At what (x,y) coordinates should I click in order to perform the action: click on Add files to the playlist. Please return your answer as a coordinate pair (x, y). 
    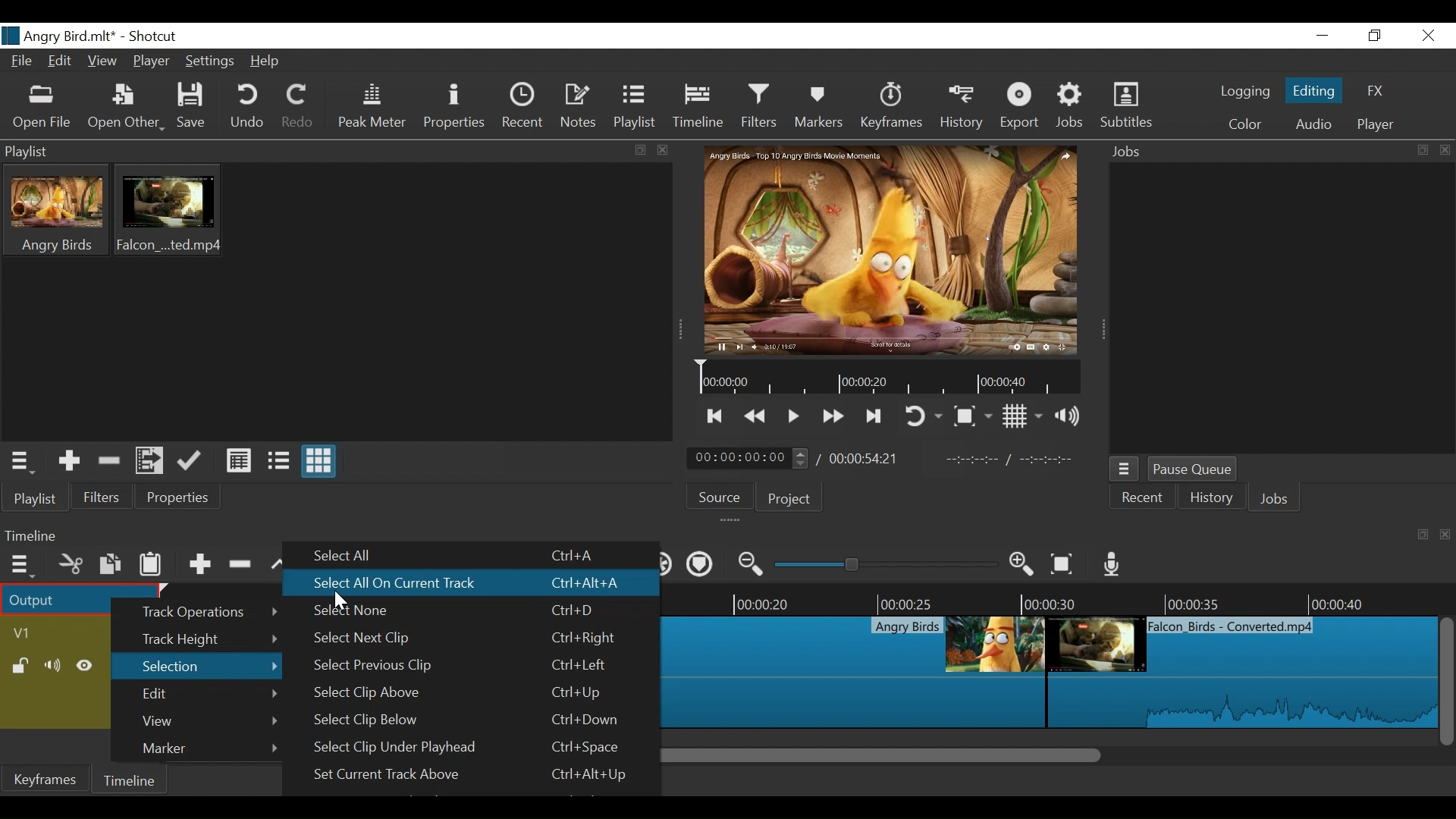
    Looking at the image, I should click on (149, 462).